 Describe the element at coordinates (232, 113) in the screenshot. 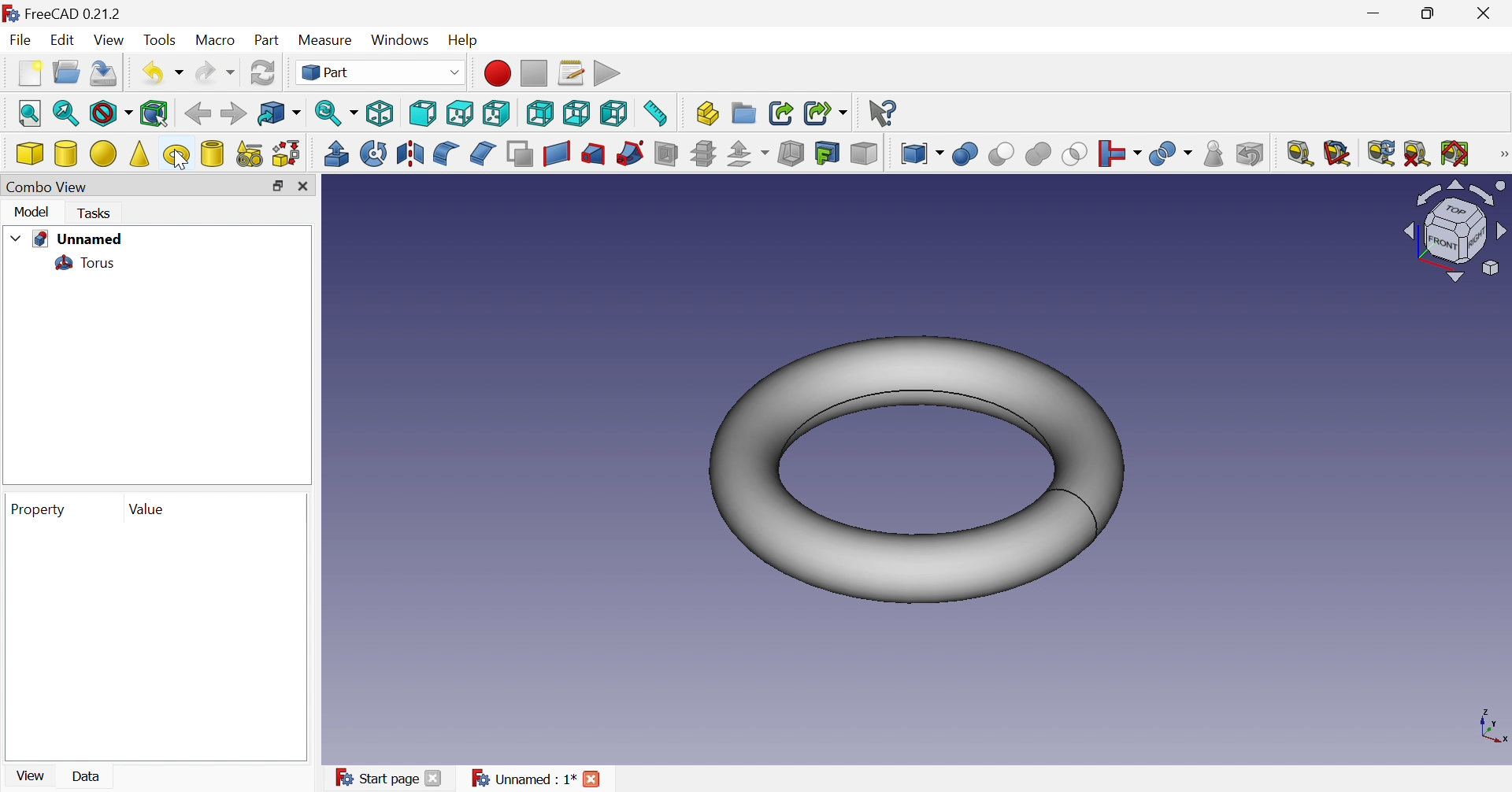

I see `Forward` at that location.